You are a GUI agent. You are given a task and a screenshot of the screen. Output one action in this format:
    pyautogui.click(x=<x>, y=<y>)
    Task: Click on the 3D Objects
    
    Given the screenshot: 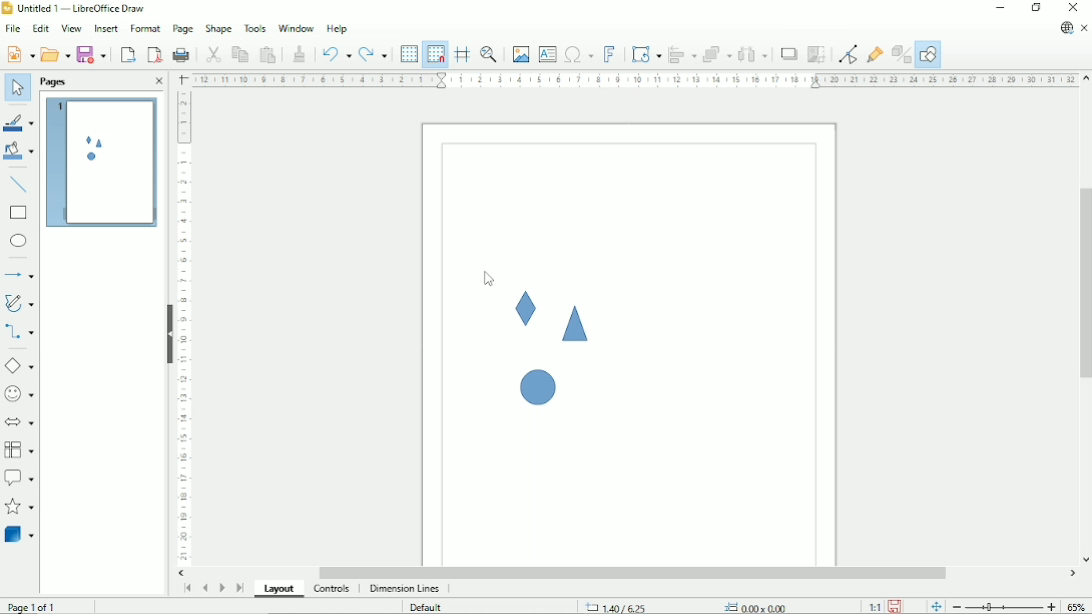 What is the action you would take?
    pyautogui.click(x=20, y=534)
    